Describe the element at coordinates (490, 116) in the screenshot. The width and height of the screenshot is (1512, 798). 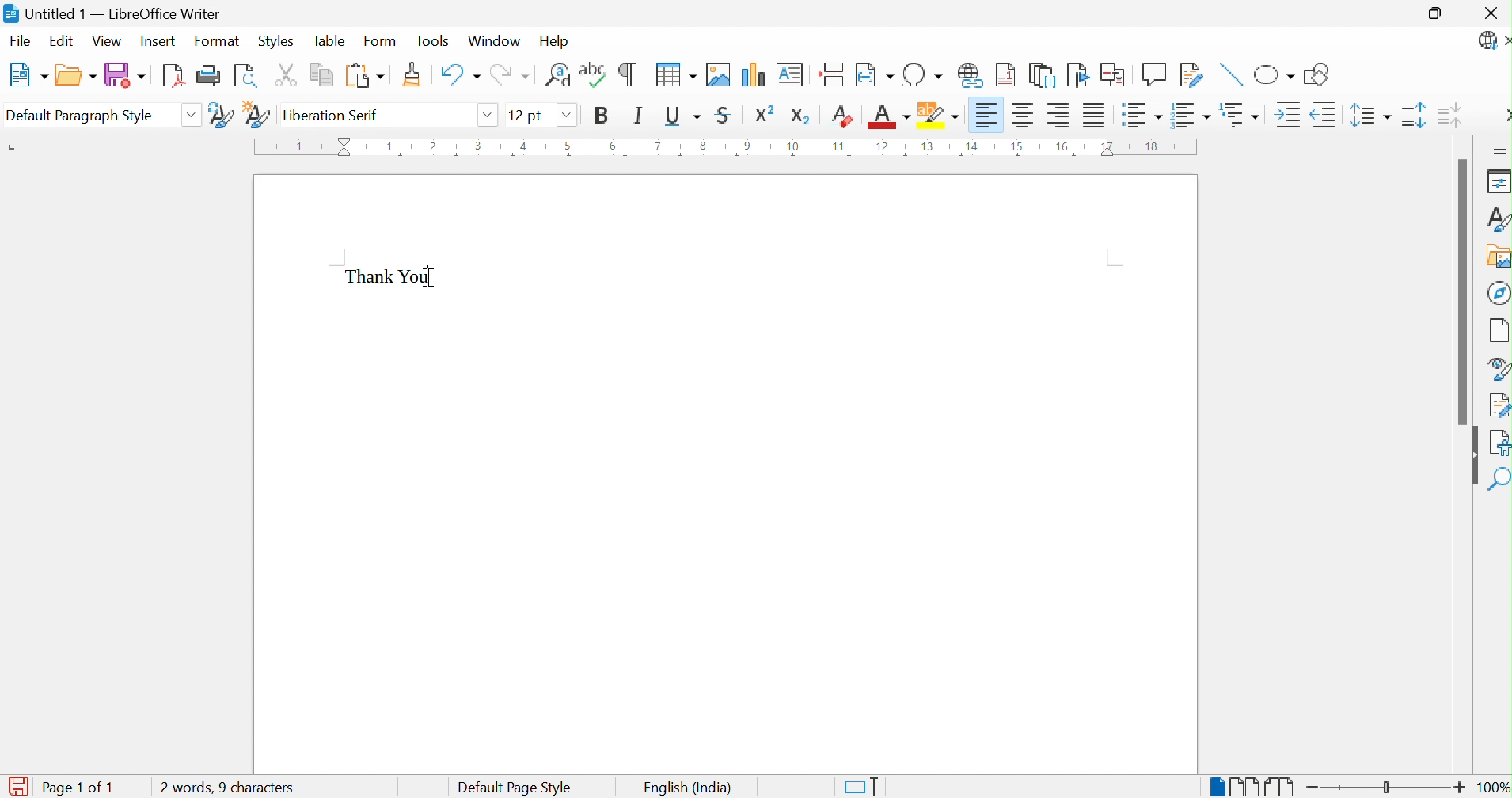
I see `Drop Down` at that location.